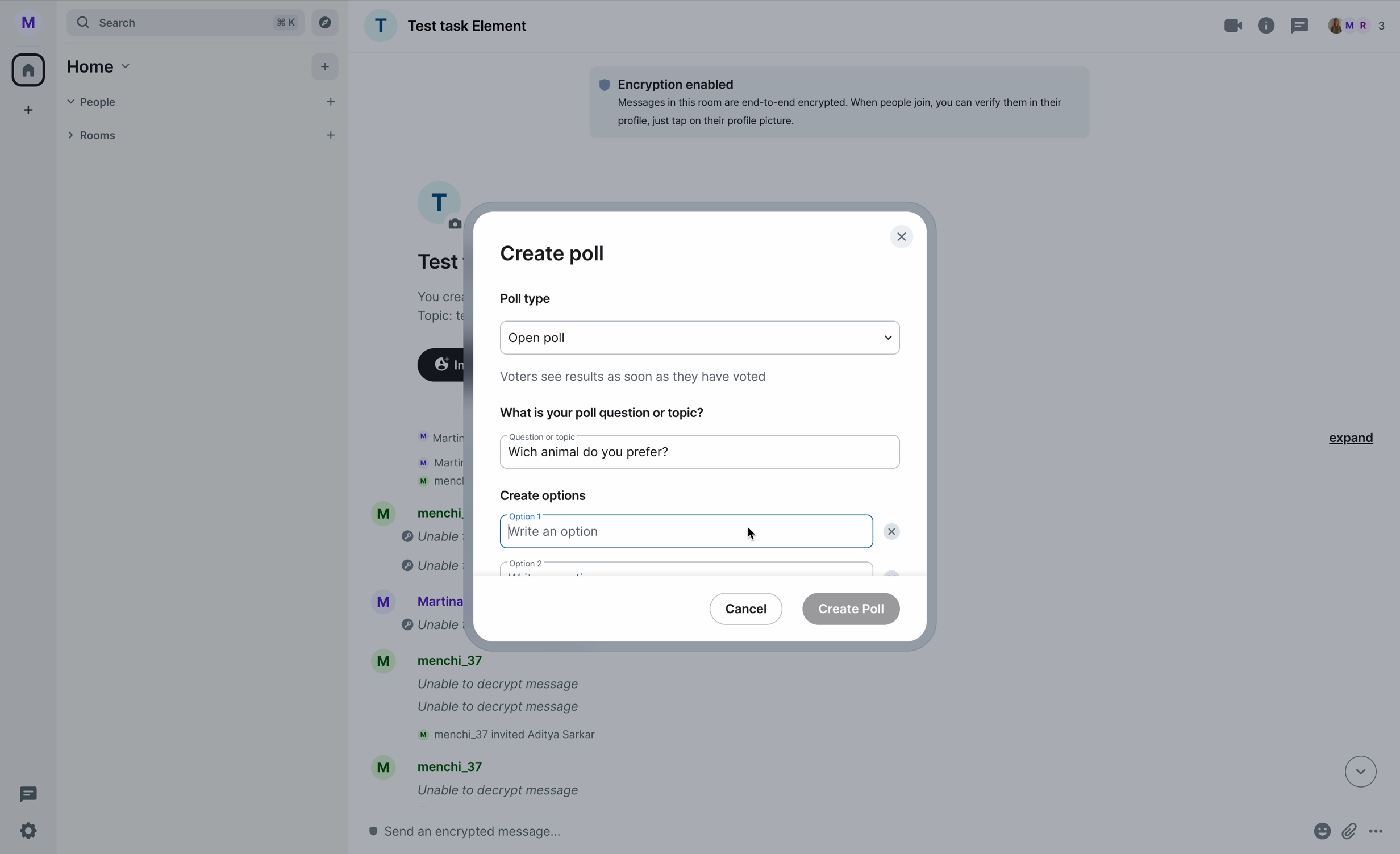 The image size is (1400, 854). I want to click on question or topic, so click(535, 437).